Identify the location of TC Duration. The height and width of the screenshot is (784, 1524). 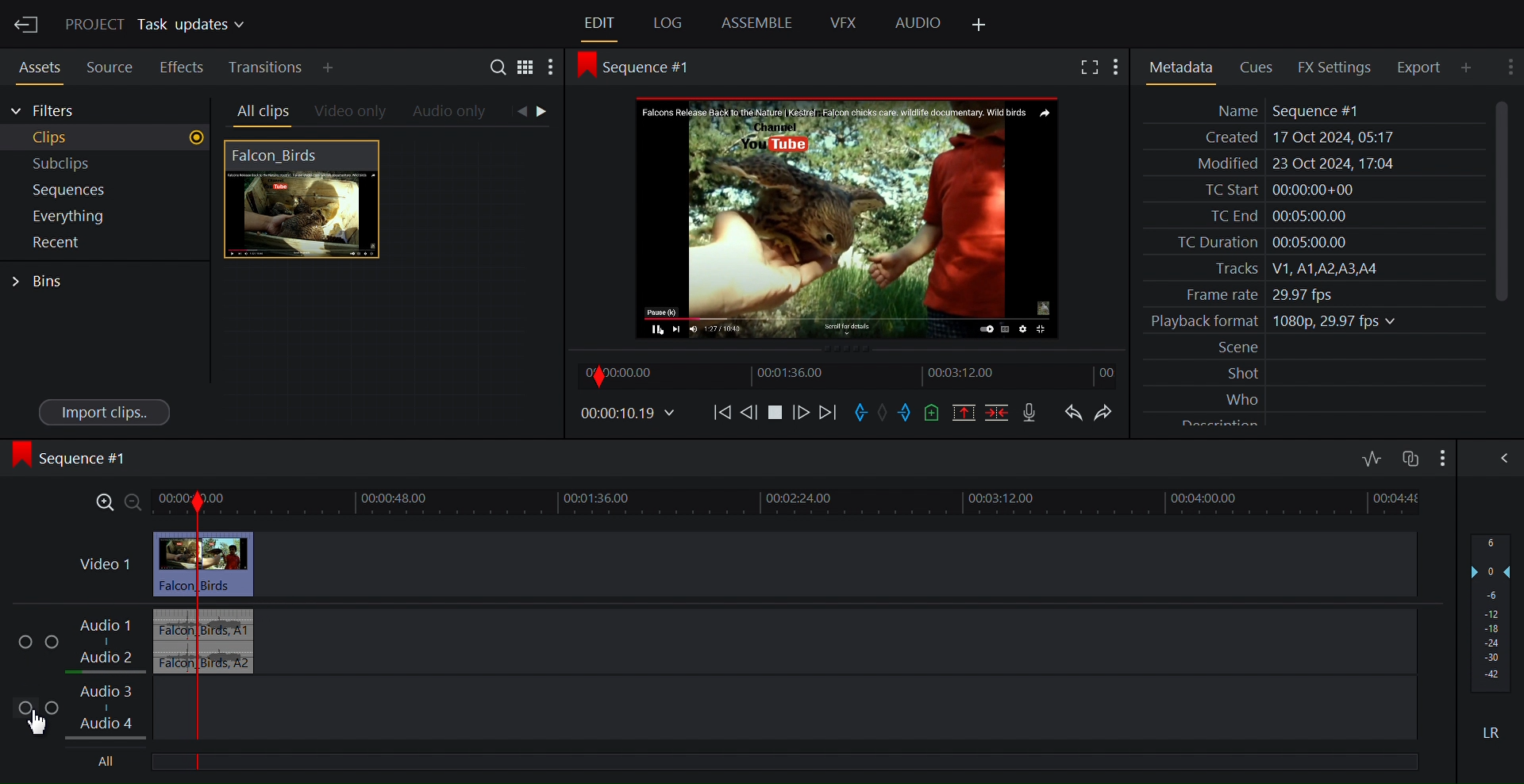
(1312, 243).